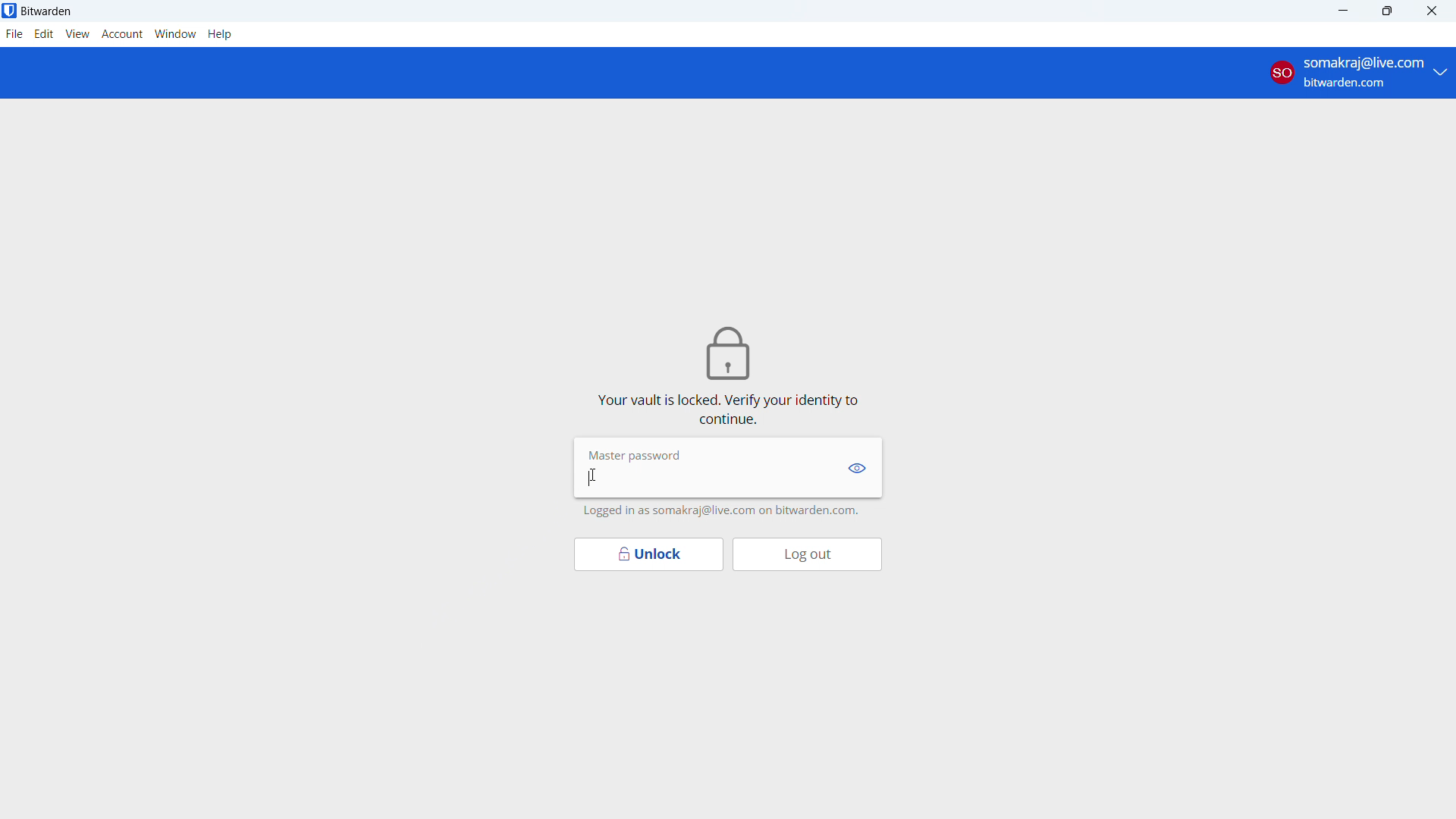  Describe the element at coordinates (47, 11) in the screenshot. I see `title` at that location.